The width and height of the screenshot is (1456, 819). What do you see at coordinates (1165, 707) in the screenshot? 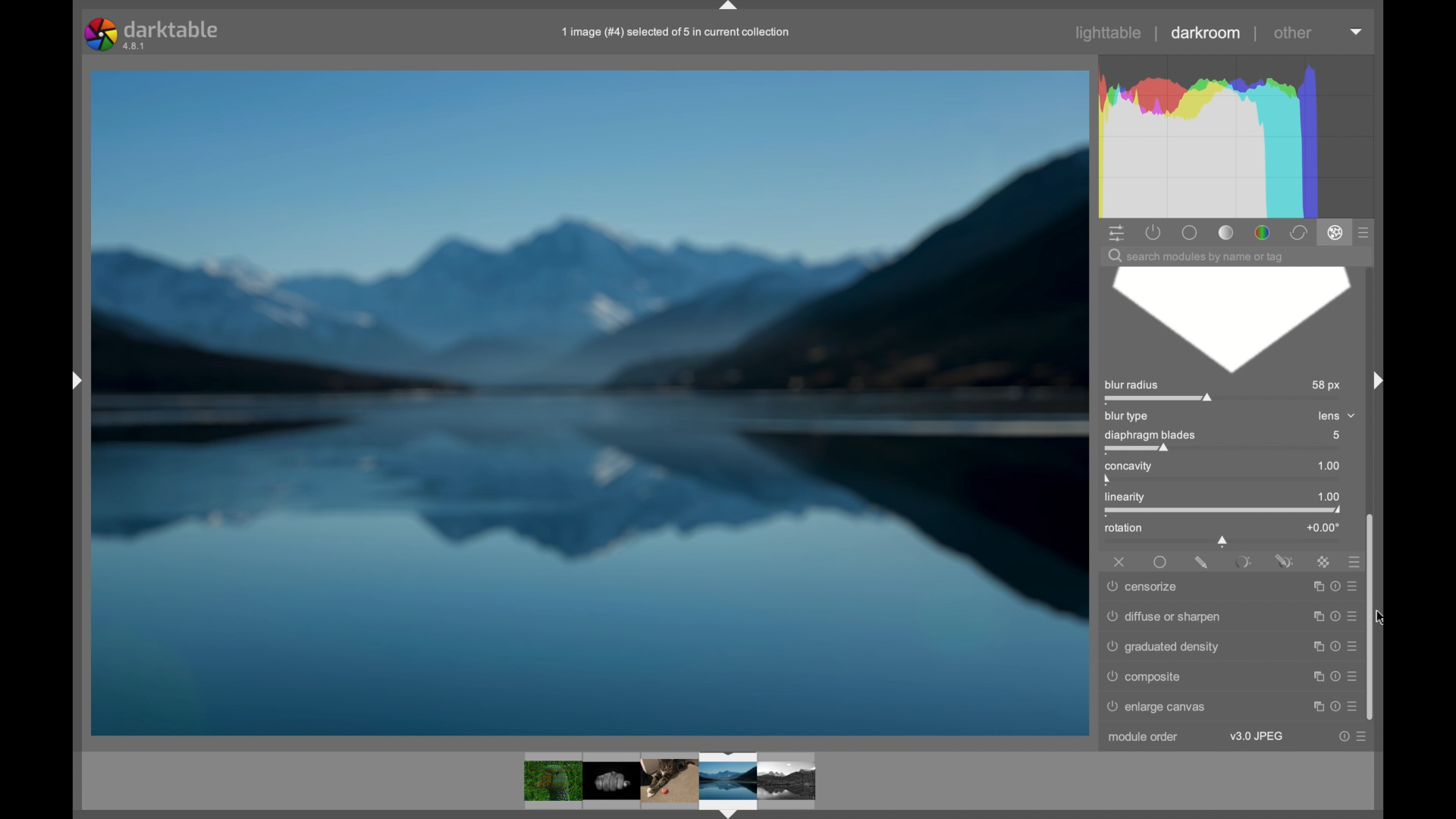
I see `enlarge canvas` at bounding box center [1165, 707].